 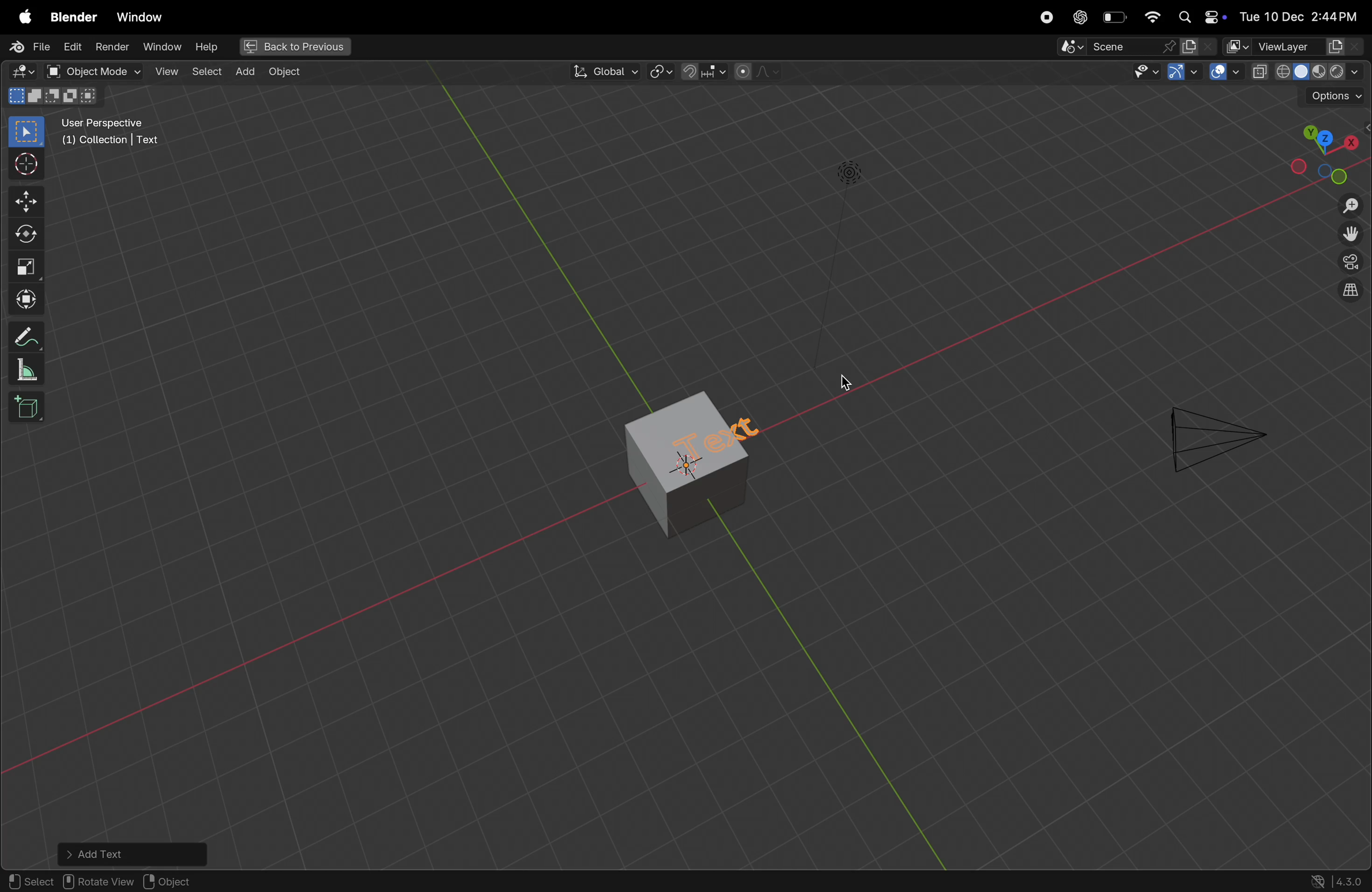 What do you see at coordinates (24, 71) in the screenshot?
I see `edit mode` at bounding box center [24, 71].